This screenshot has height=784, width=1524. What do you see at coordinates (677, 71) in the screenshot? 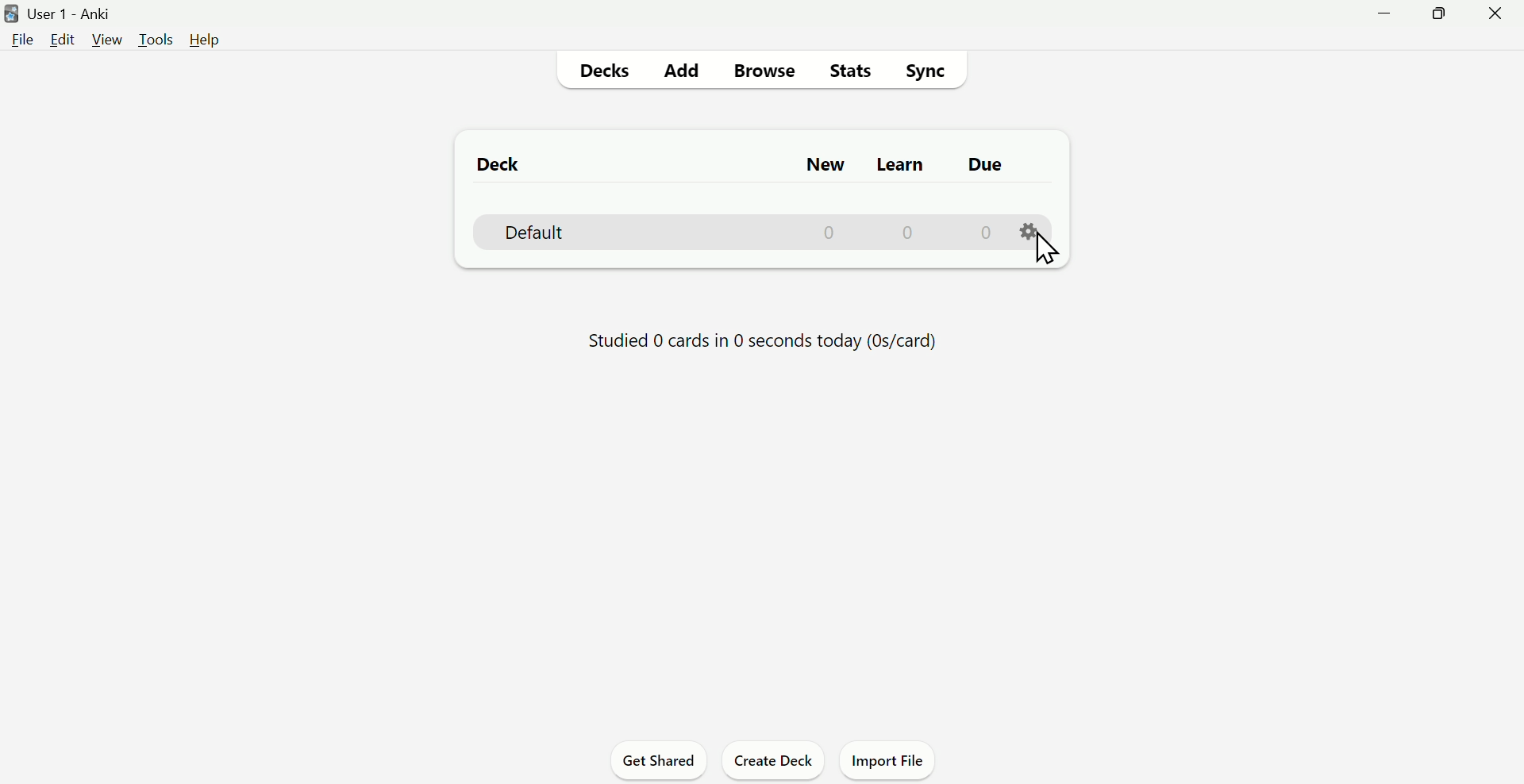
I see `Add` at bounding box center [677, 71].